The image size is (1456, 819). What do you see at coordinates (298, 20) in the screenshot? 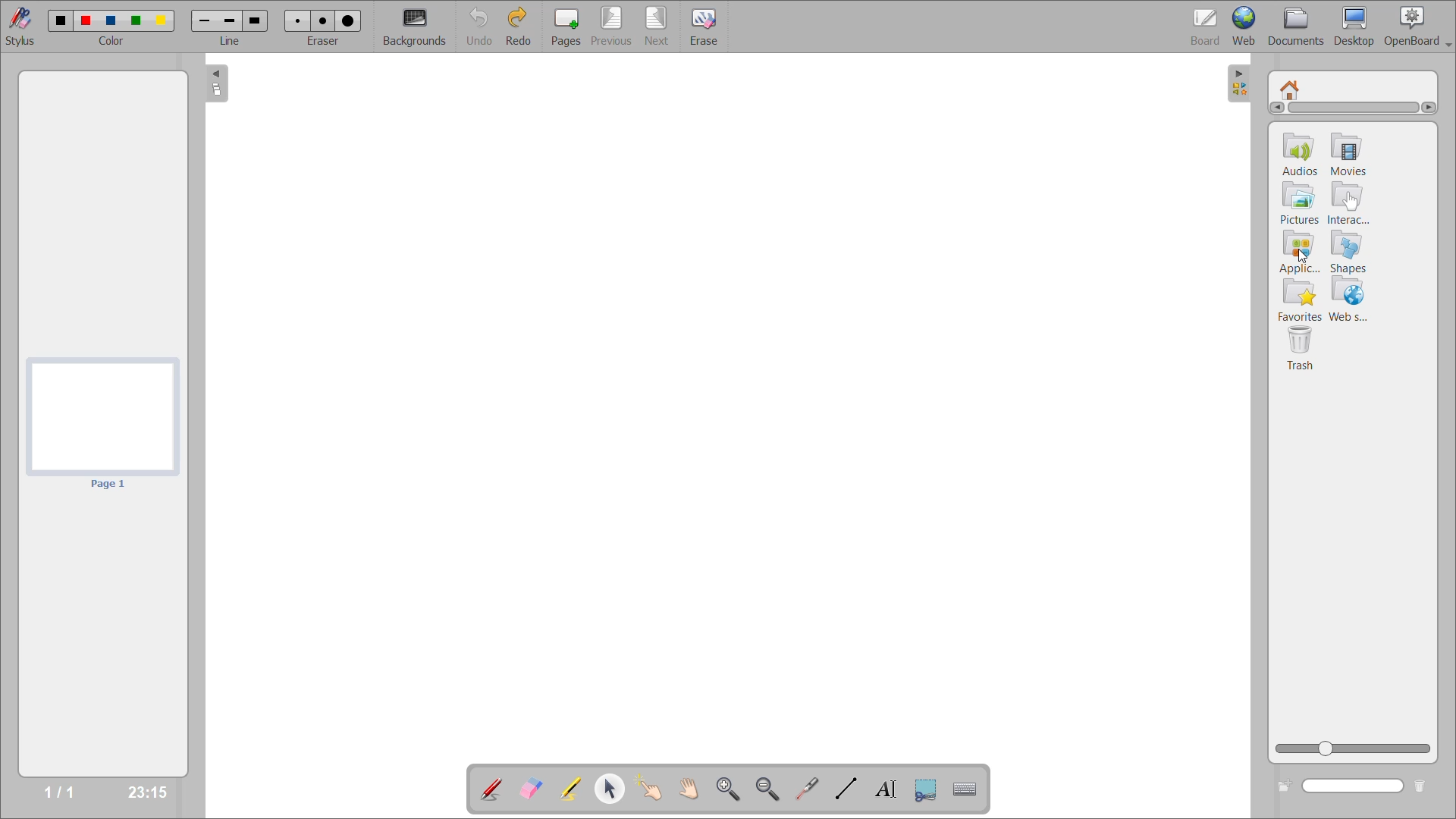
I see `eraser 1` at bounding box center [298, 20].